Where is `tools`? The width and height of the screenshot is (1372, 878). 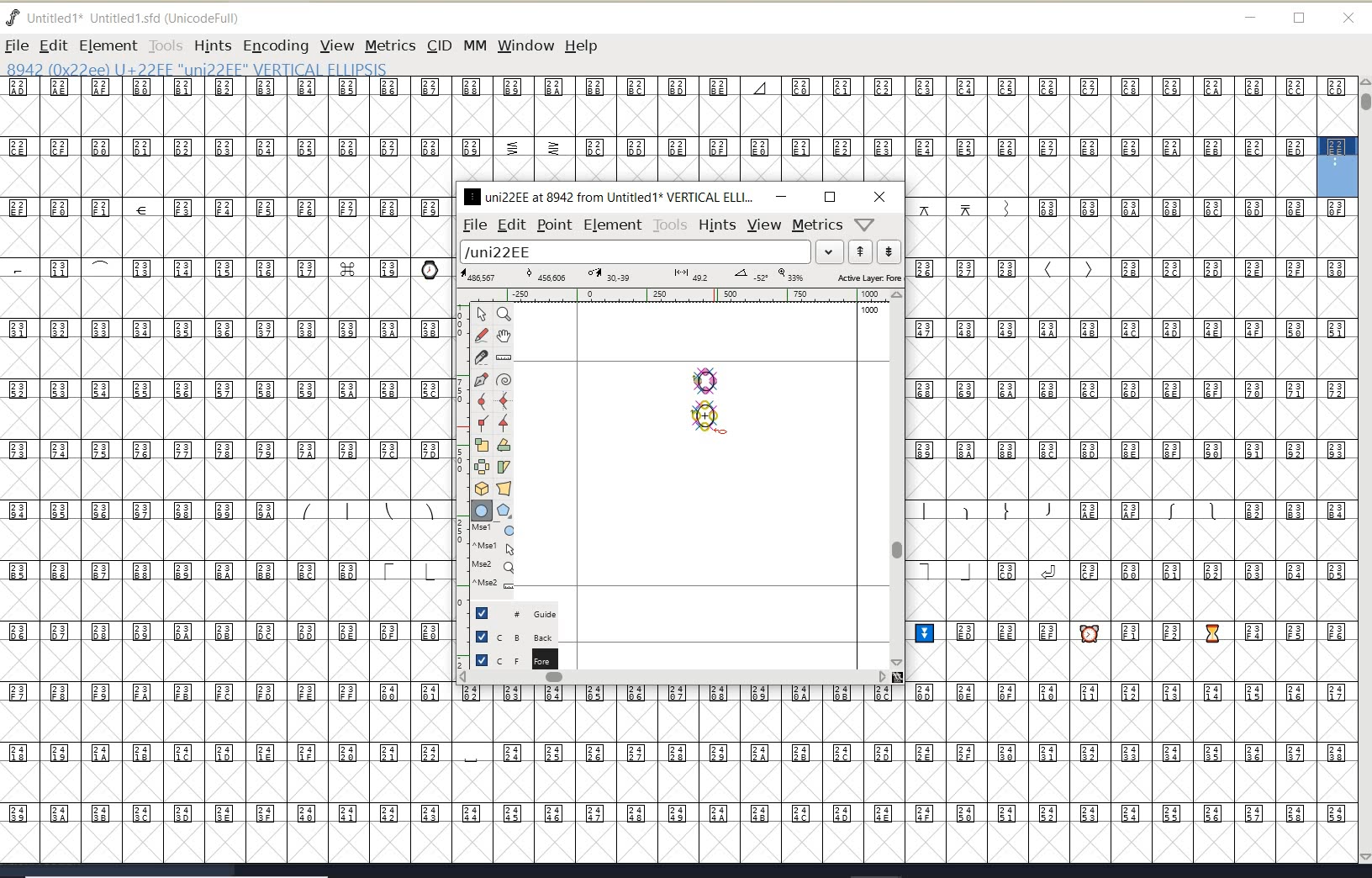
tools is located at coordinates (671, 225).